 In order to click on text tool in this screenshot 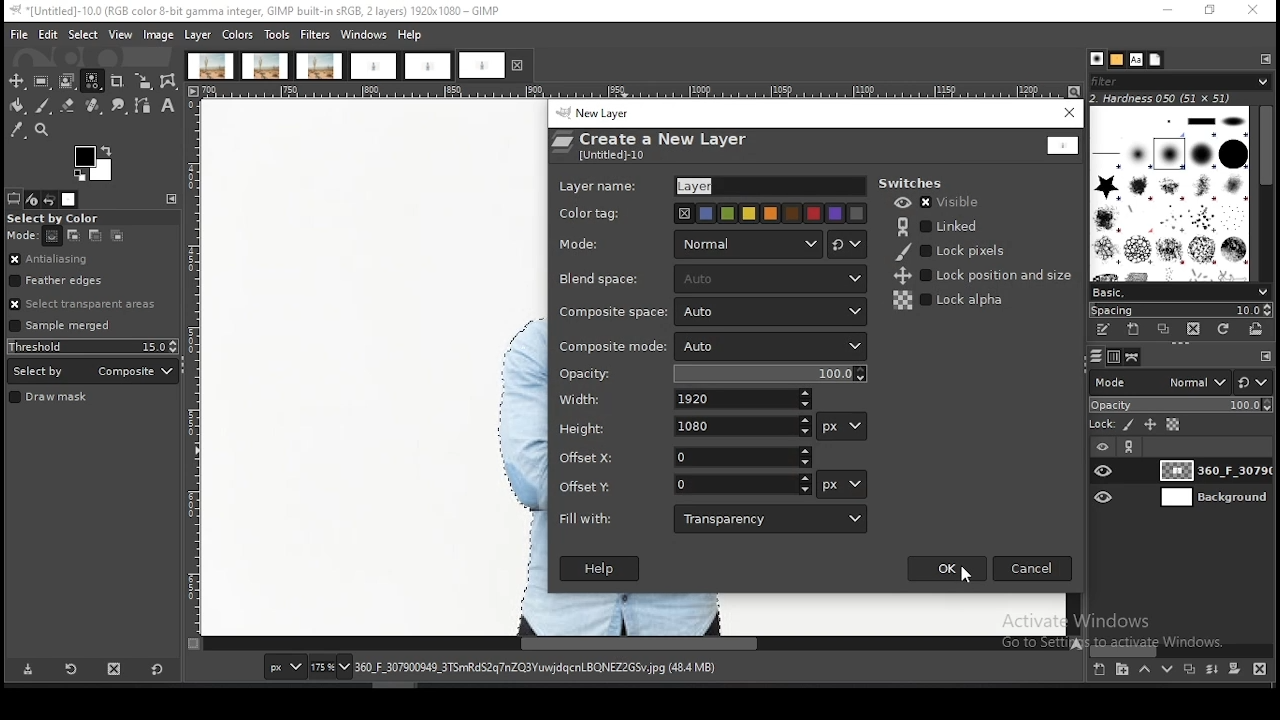, I will do `click(168, 106)`.